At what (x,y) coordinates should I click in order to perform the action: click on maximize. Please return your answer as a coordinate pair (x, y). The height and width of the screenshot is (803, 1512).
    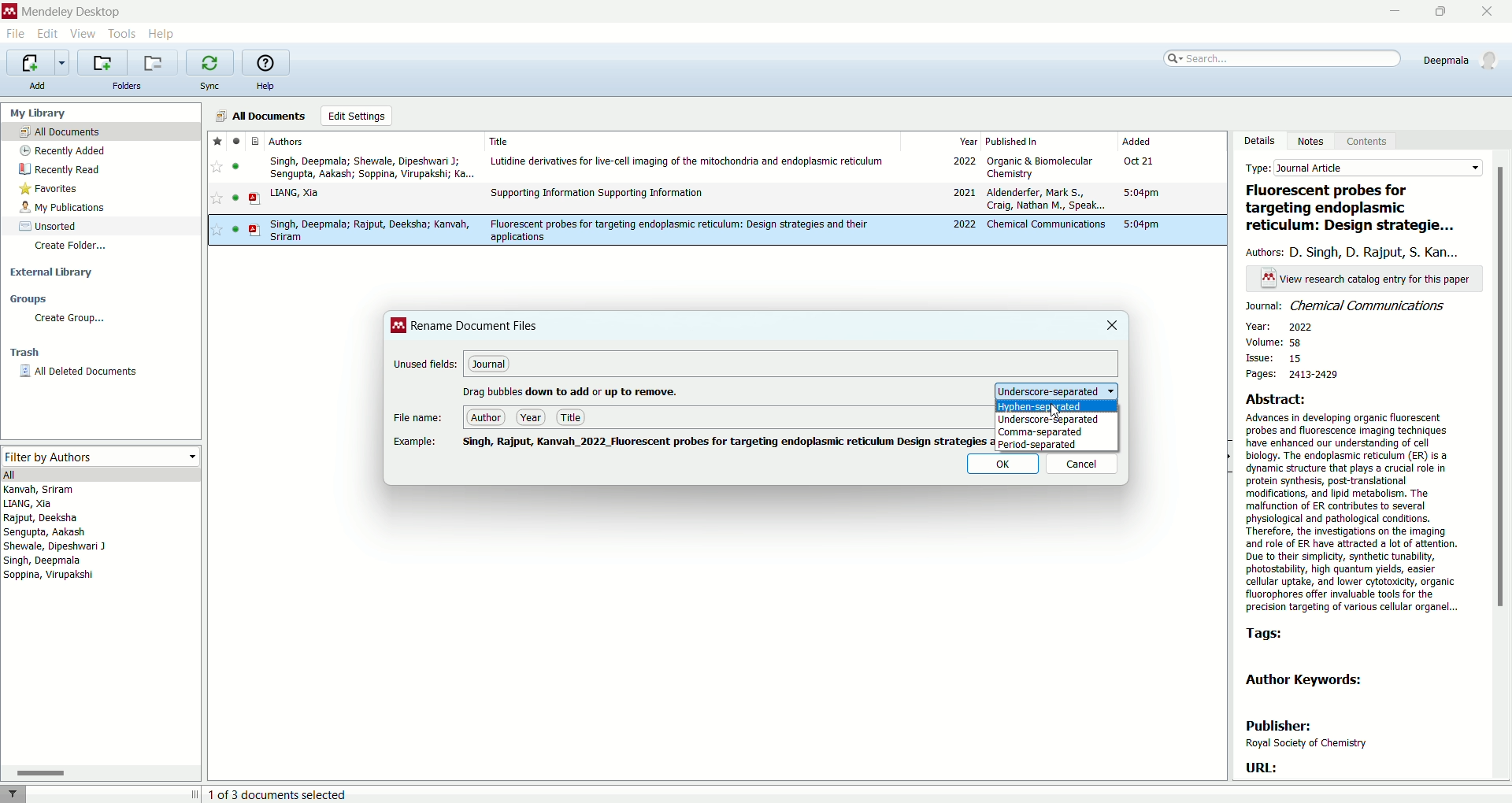
    Looking at the image, I should click on (1442, 12).